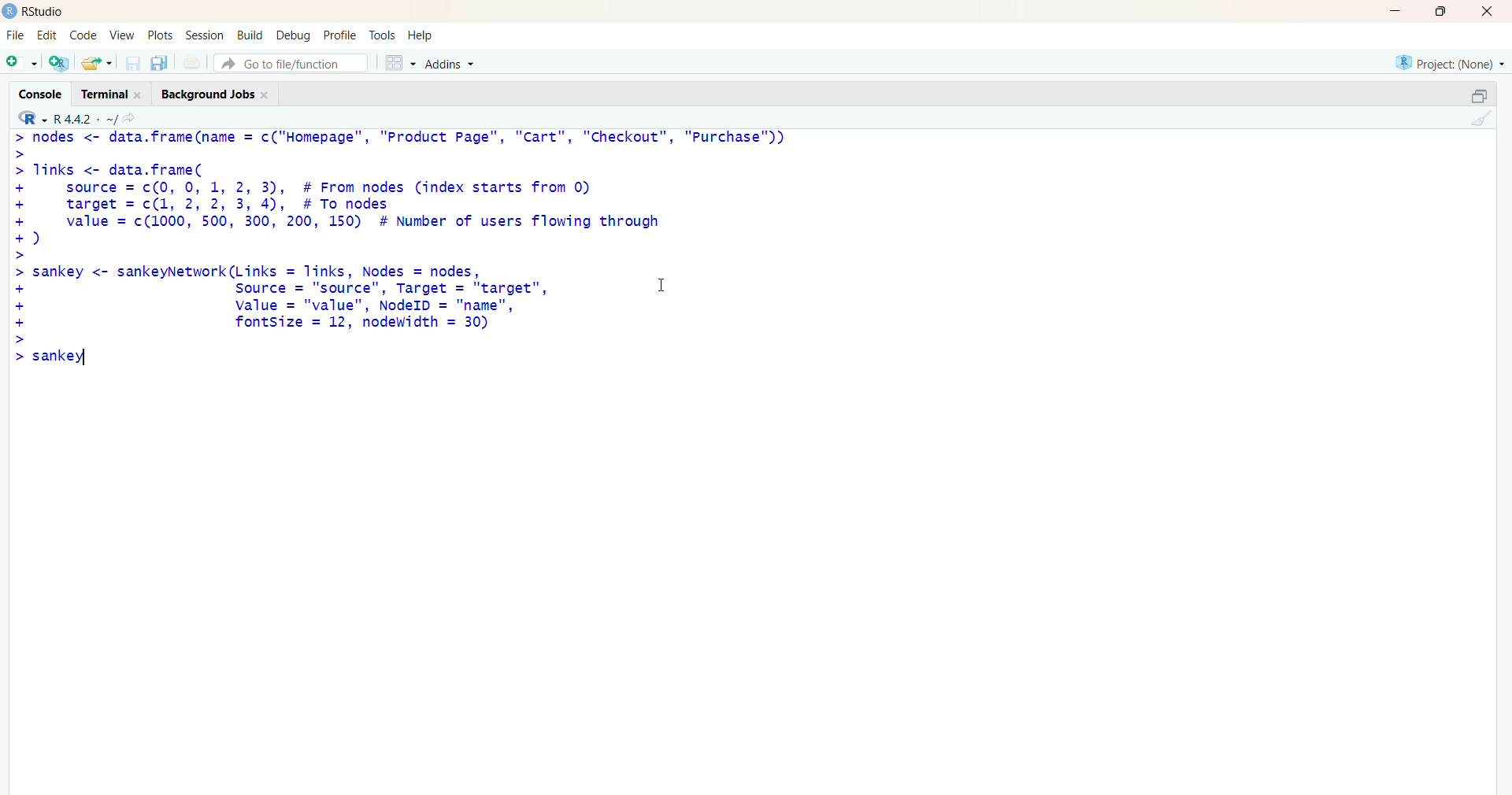 The width and height of the screenshot is (1512, 795). Describe the element at coordinates (339, 34) in the screenshot. I see `profile` at that location.